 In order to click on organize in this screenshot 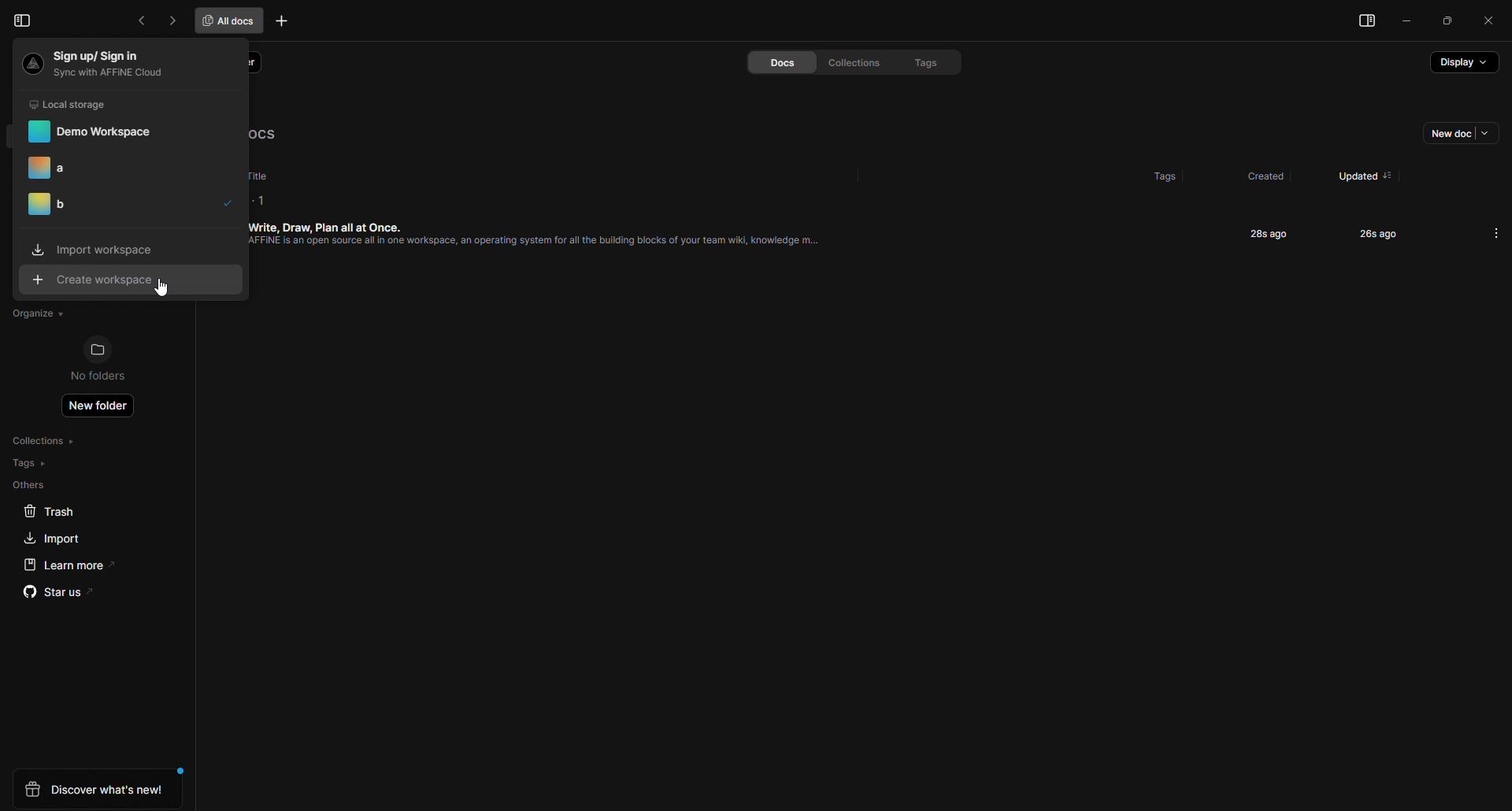, I will do `click(35, 313)`.